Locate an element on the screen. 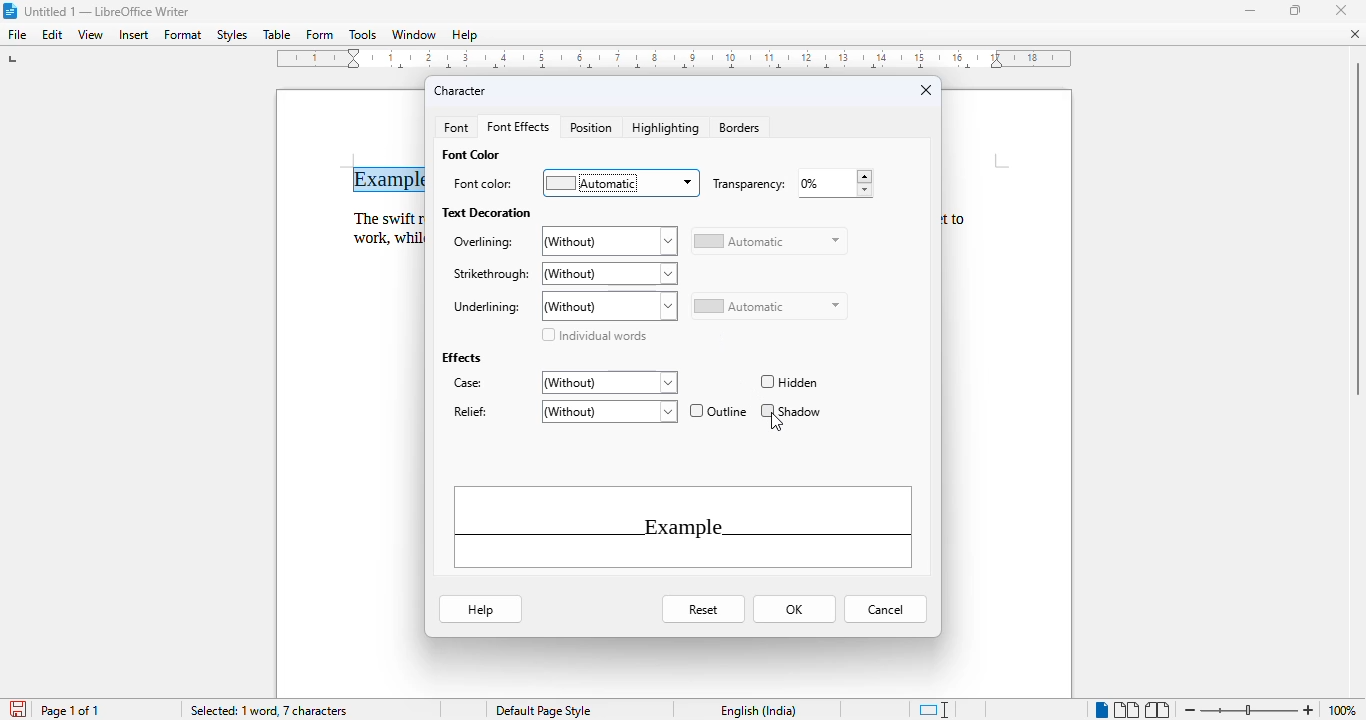 This screenshot has width=1366, height=720. close is located at coordinates (926, 89).